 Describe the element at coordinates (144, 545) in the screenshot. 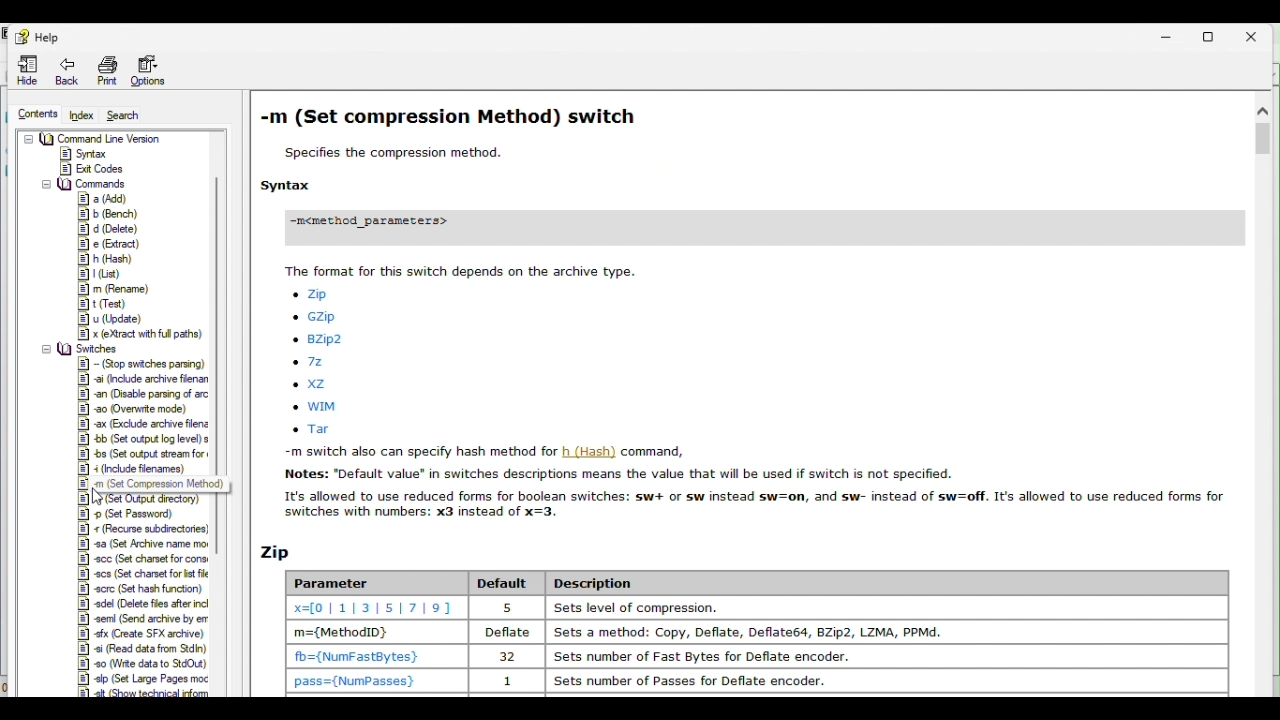

I see `set archive name` at that location.